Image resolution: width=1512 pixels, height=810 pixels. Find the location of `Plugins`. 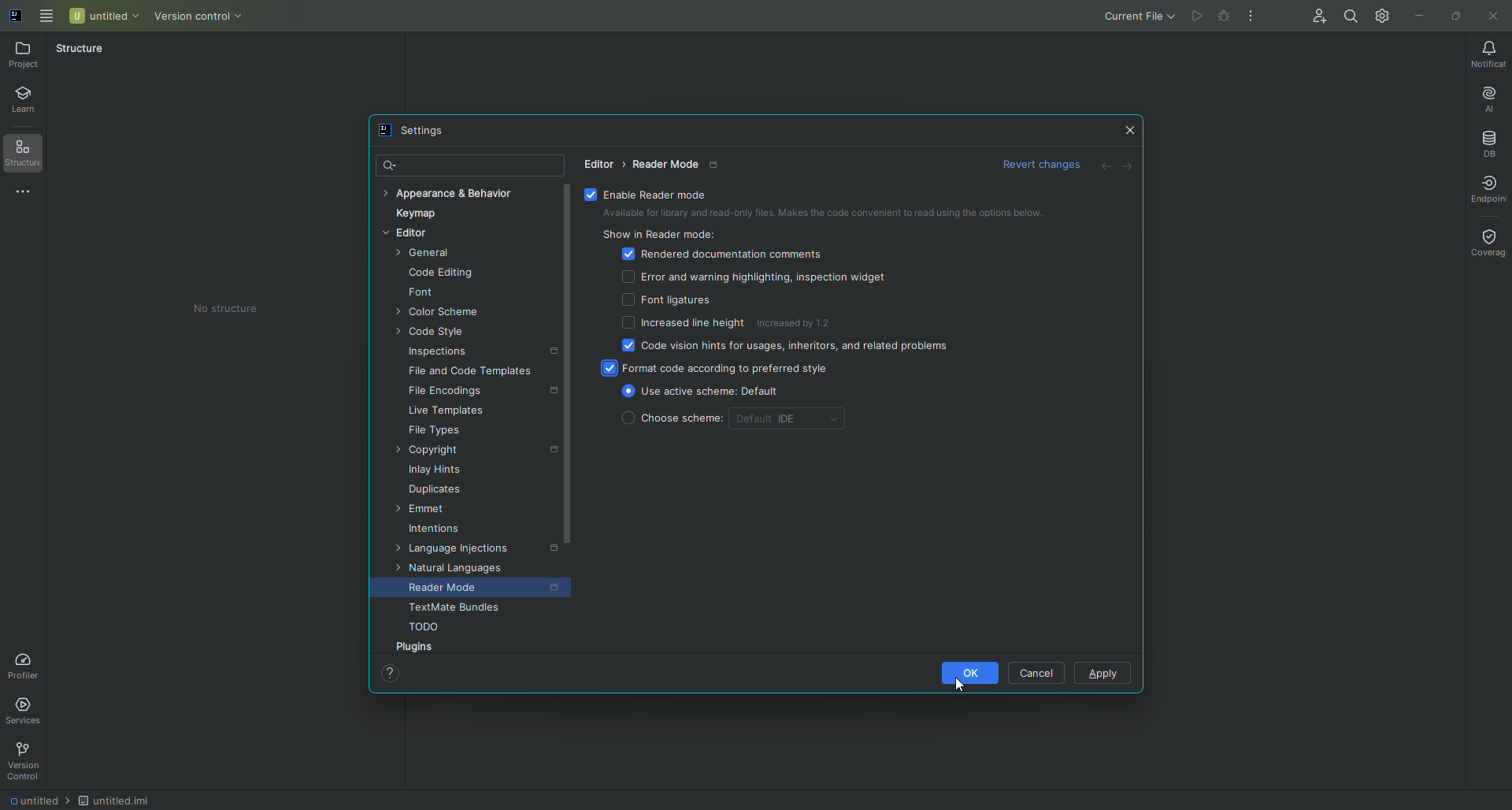

Plugins is located at coordinates (417, 647).